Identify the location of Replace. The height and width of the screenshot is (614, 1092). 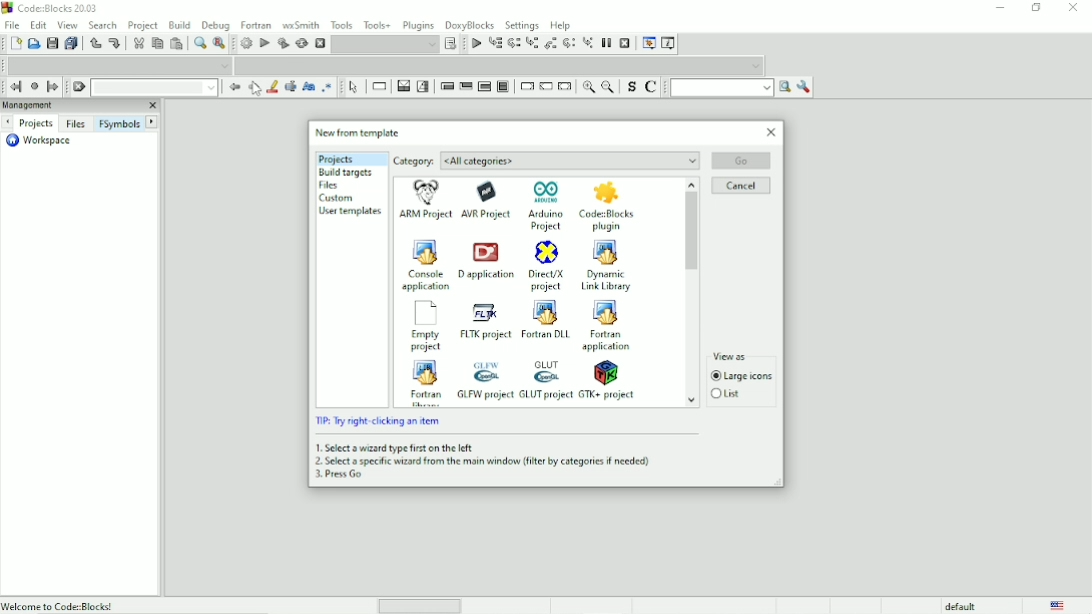
(219, 44).